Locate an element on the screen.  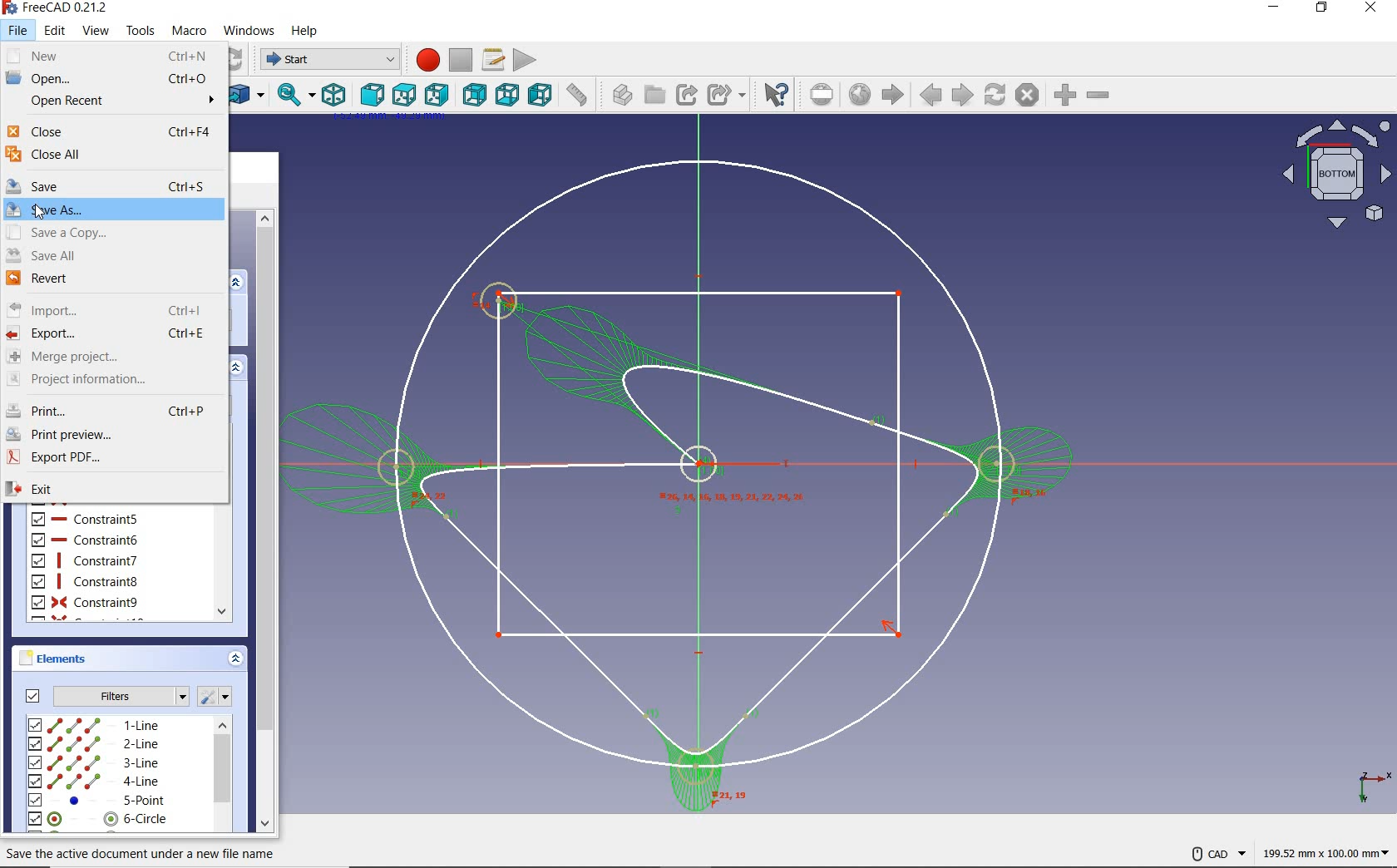
constraint5 is located at coordinates (86, 518).